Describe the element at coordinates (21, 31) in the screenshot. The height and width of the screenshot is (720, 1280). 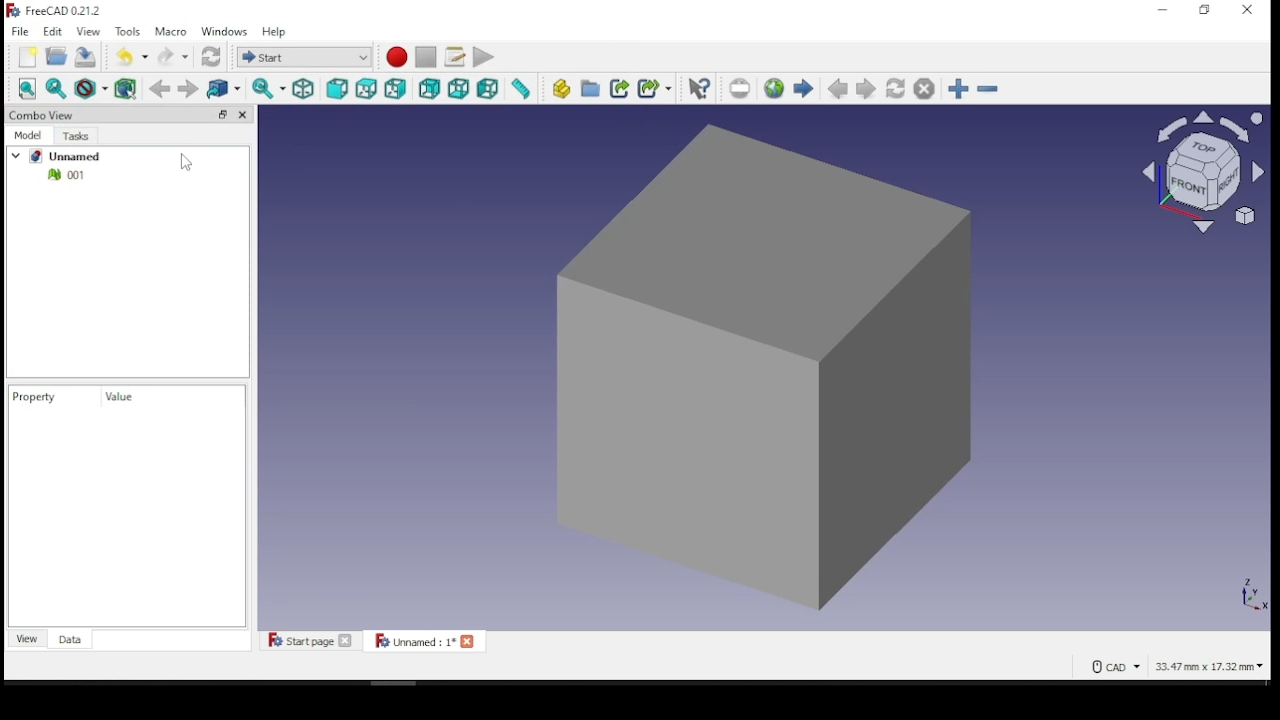
I see `File` at that location.